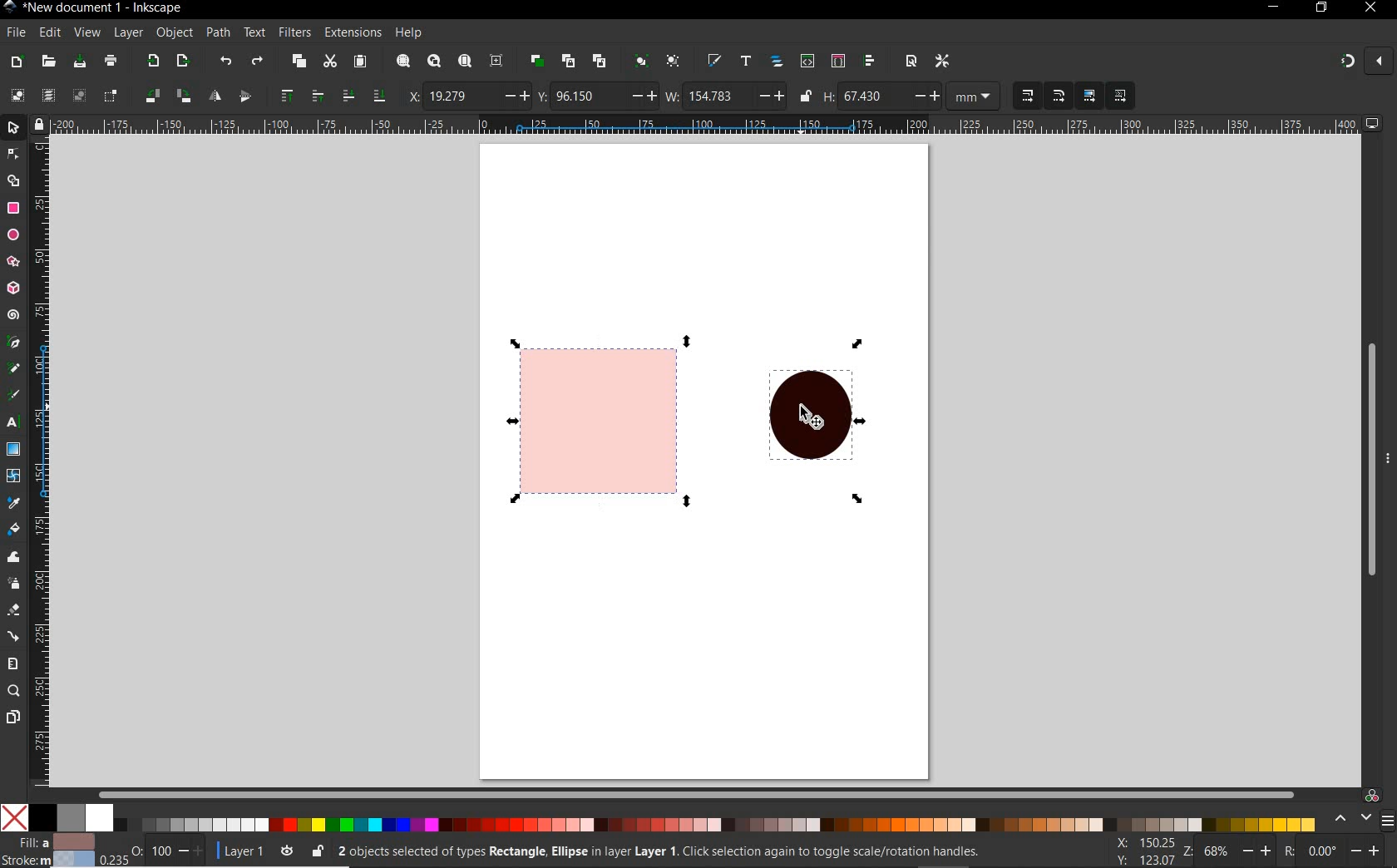 The height and width of the screenshot is (868, 1397). What do you see at coordinates (777, 62) in the screenshot?
I see `open object` at bounding box center [777, 62].